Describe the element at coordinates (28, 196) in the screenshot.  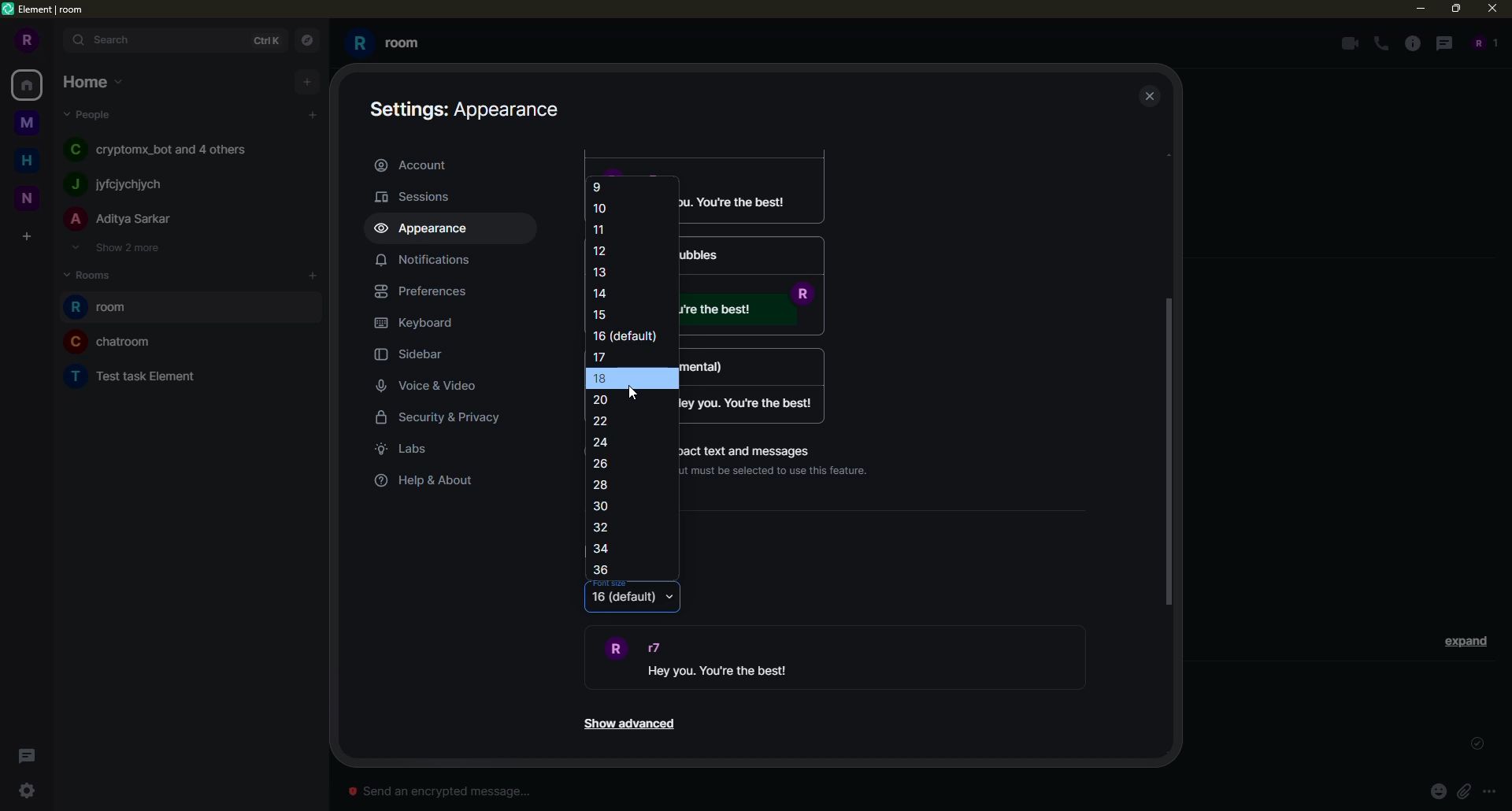
I see `space` at that location.